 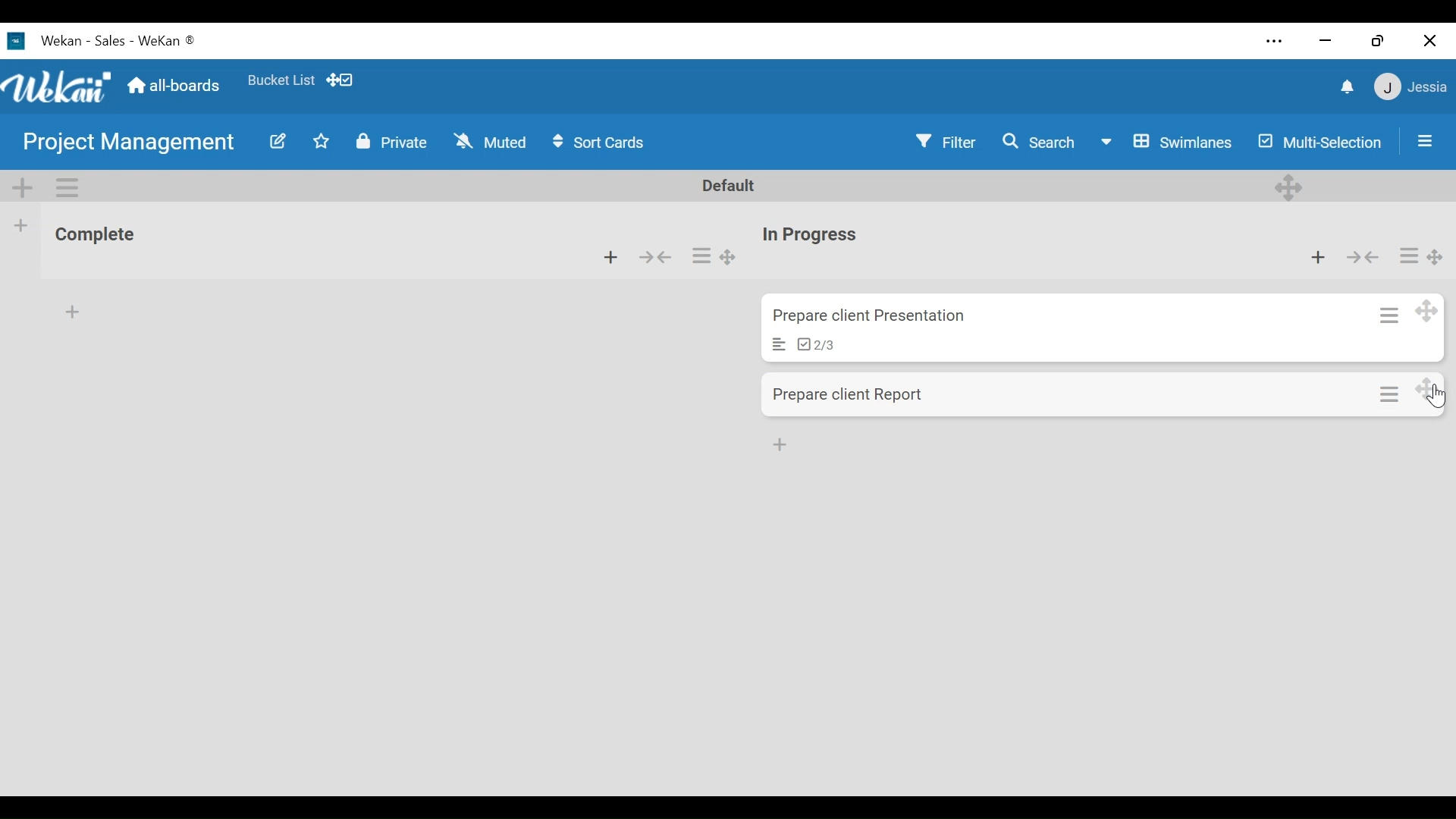 What do you see at coordinates (279, 141) in the screenshot?
I see `Edit` at bounding box center [279, 141].